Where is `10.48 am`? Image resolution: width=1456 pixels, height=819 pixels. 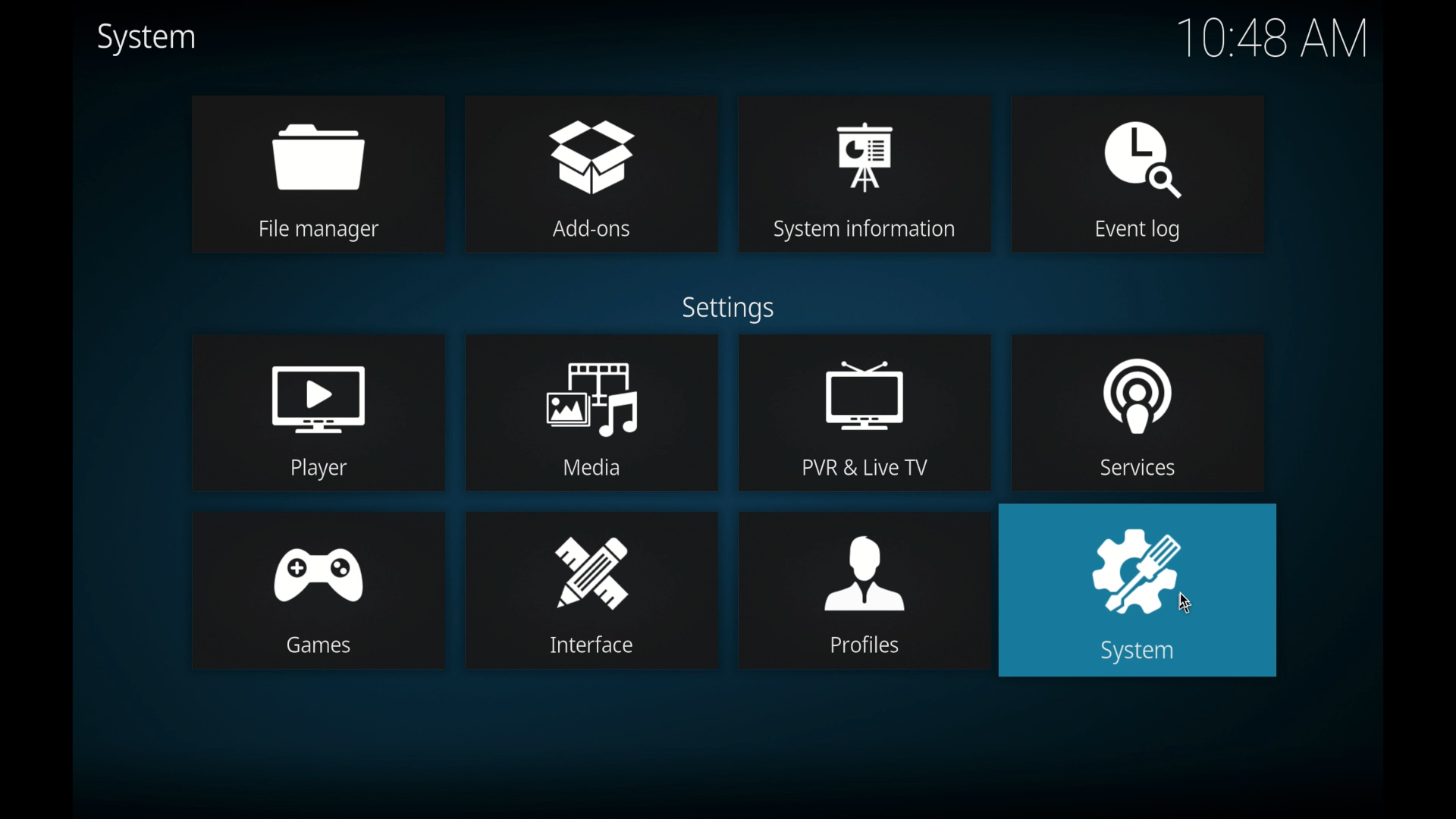
10.48 am is located at coordinates (1273, 37).